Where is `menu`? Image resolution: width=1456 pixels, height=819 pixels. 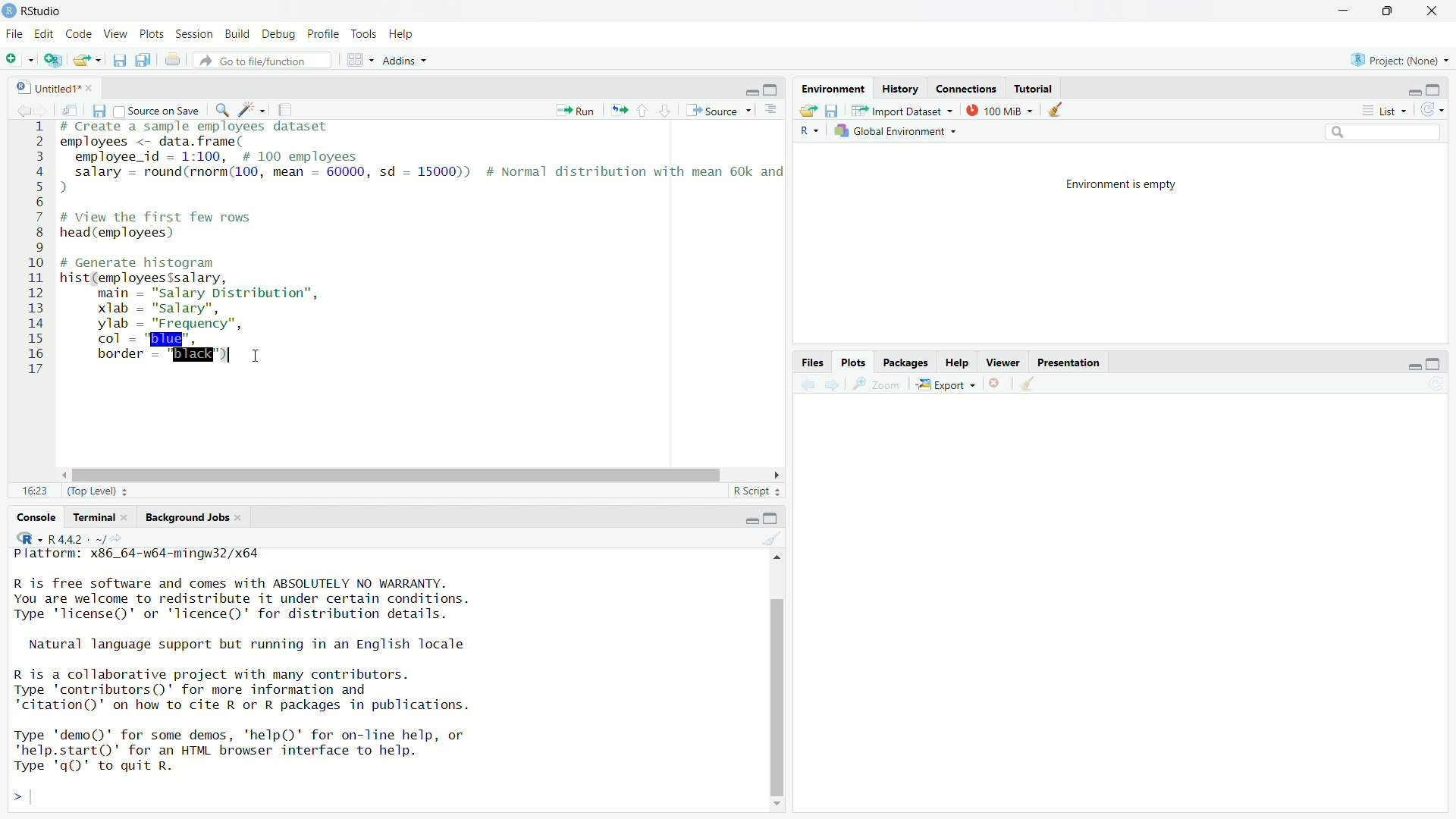 menu is located at coordinates (20, 60).